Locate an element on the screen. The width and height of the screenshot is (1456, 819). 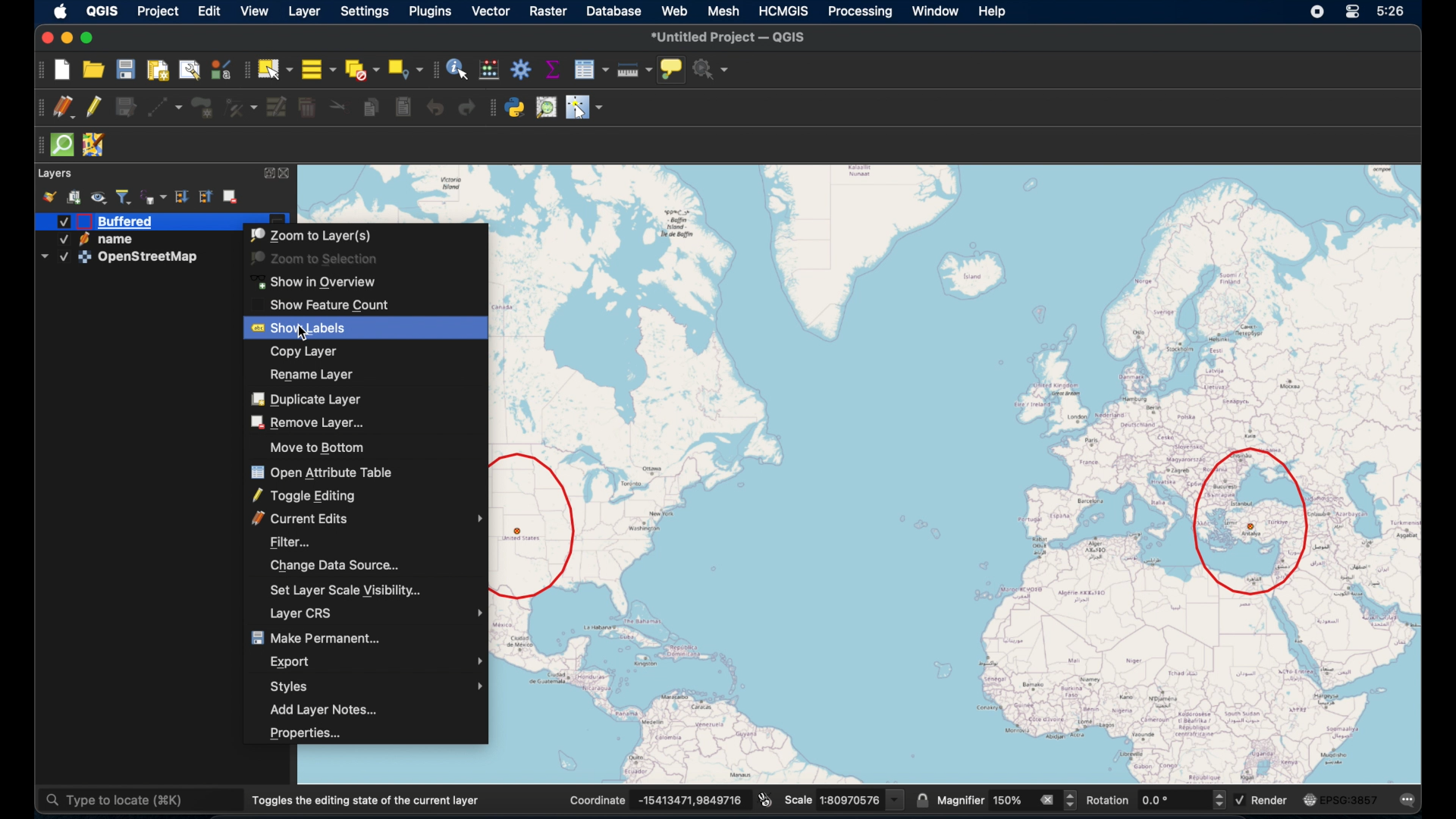
paste features is located at coordinates (403, 108).